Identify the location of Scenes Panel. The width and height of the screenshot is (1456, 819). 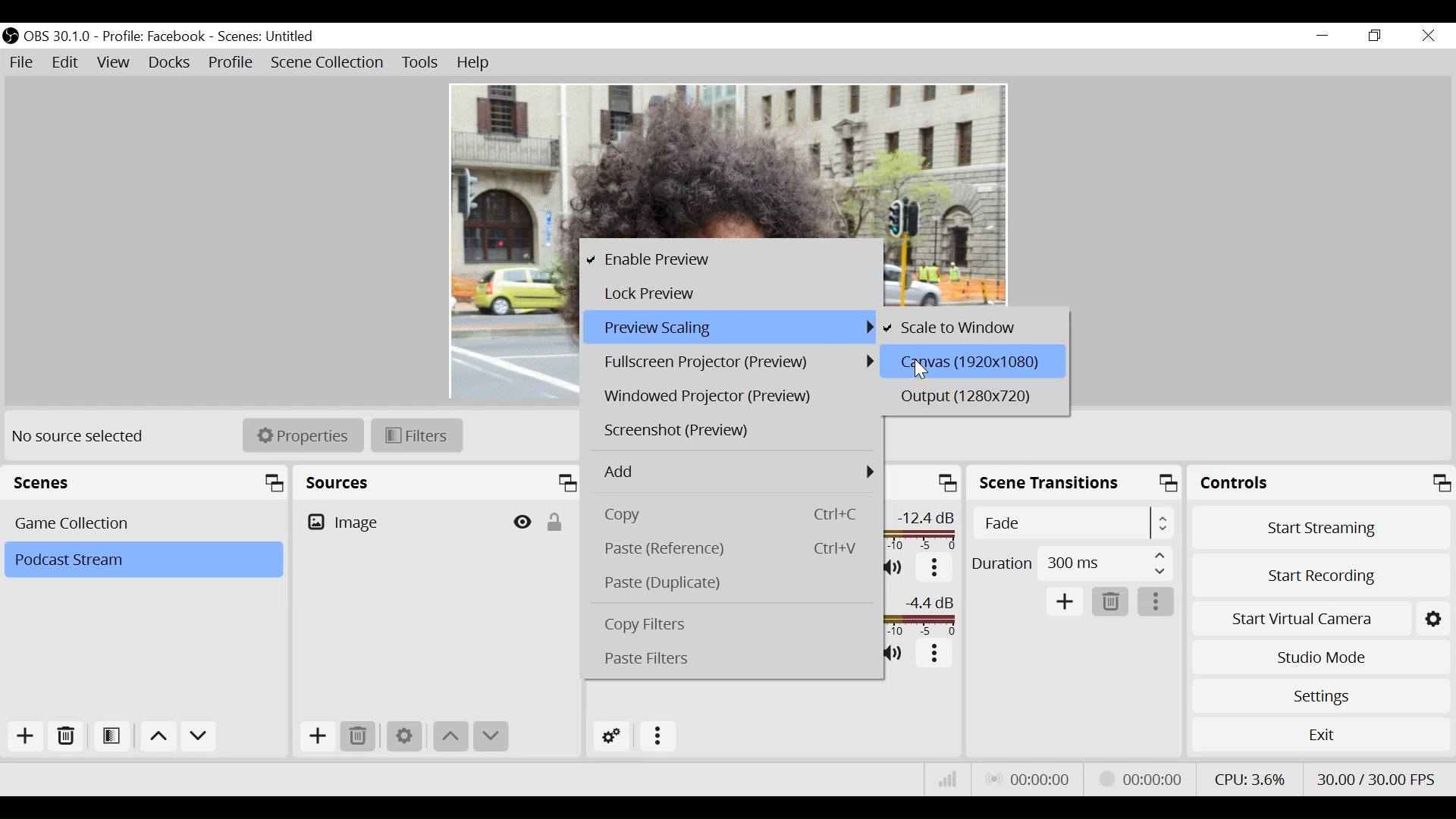
(148, 482).